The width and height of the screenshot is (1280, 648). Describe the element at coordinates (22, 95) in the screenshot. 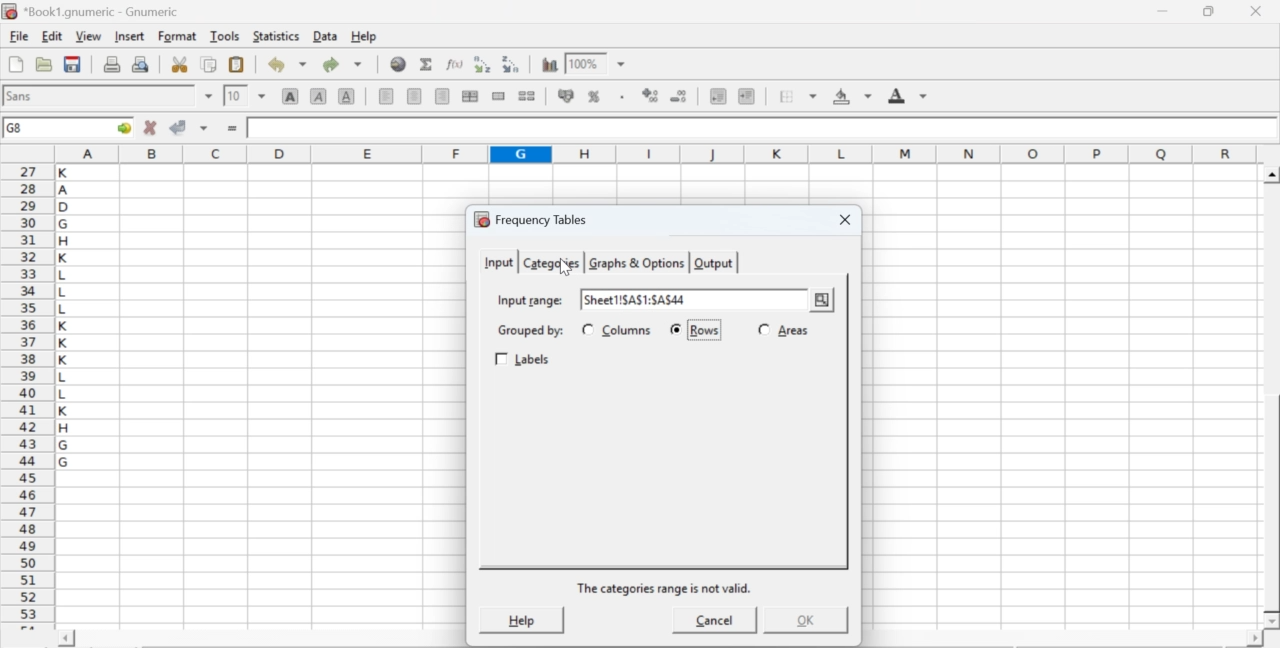

I see `font` at that location.